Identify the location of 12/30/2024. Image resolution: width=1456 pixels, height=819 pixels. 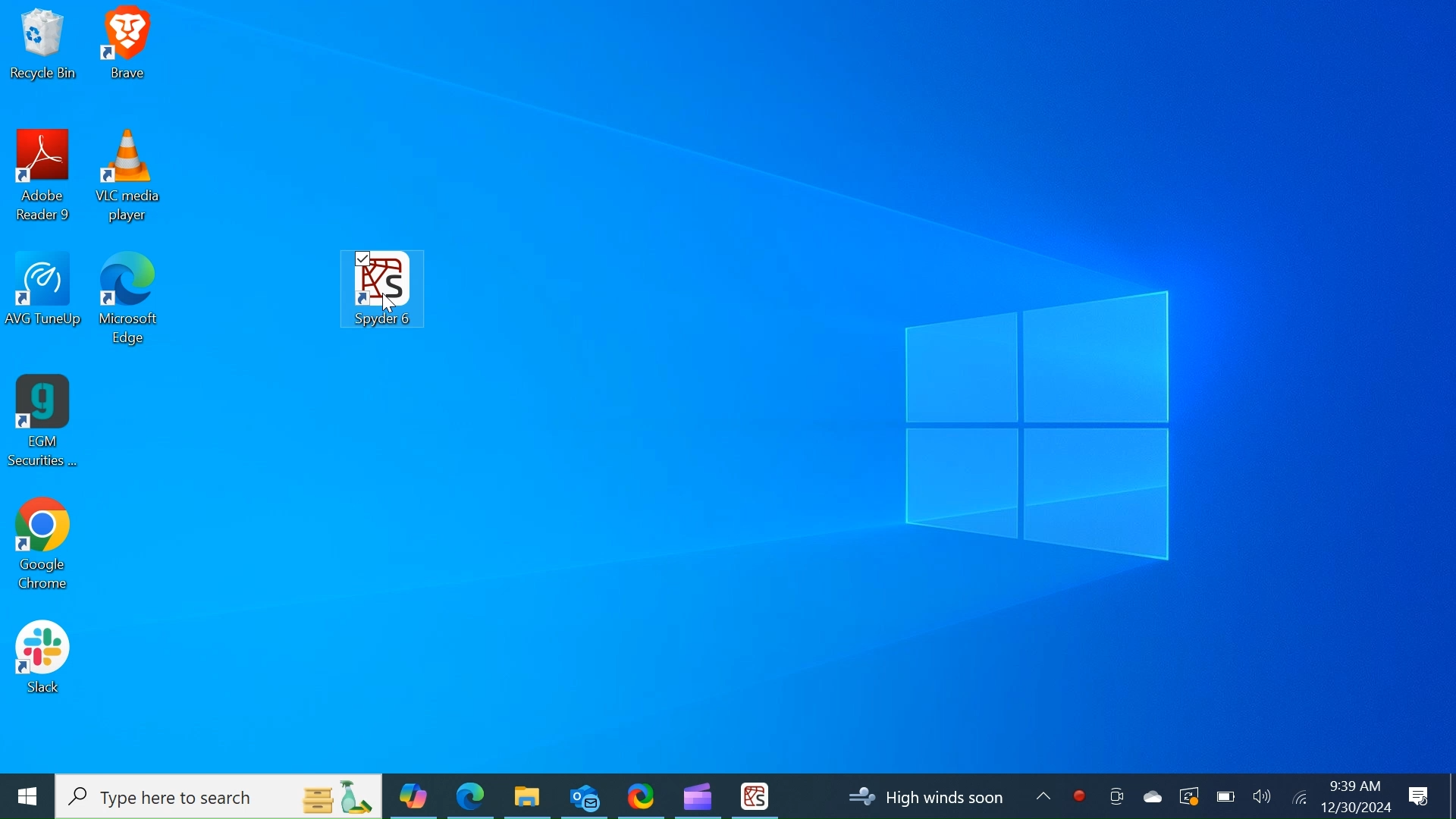
(1357, 807).